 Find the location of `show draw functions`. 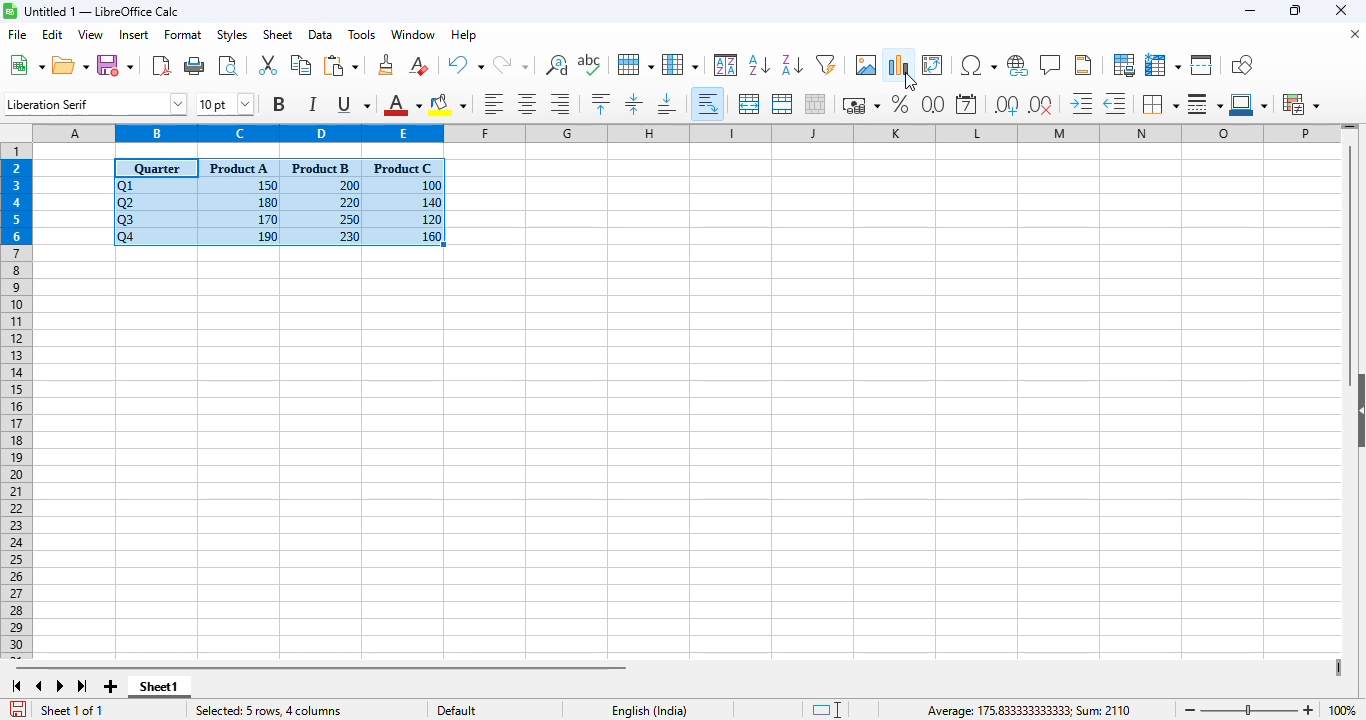

show draw functions is located at coordinates (1241, 64).